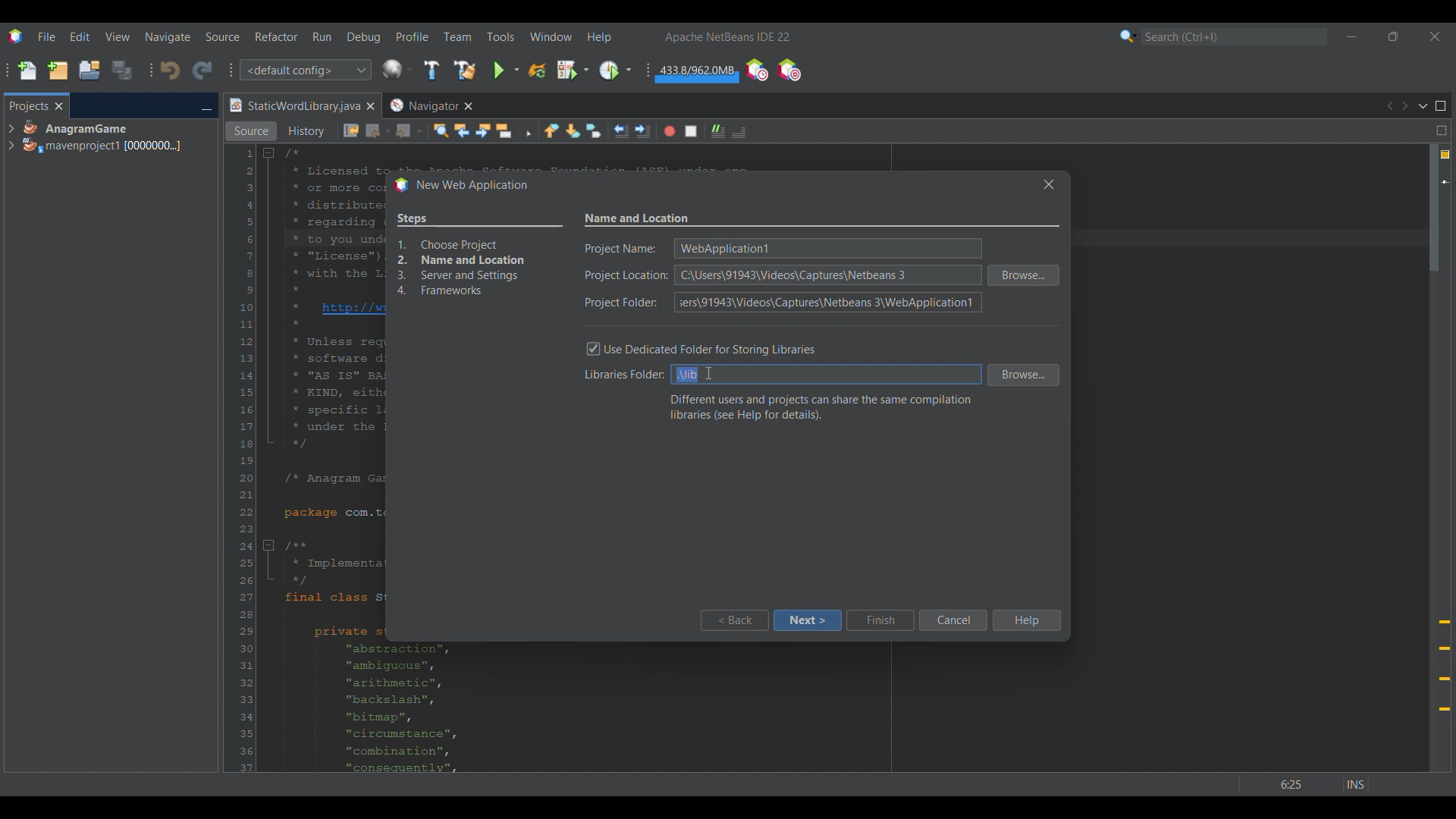 Image resolution: width=1456 pixels, height=819 pixels. I want to click on New file, so click(27, 71).